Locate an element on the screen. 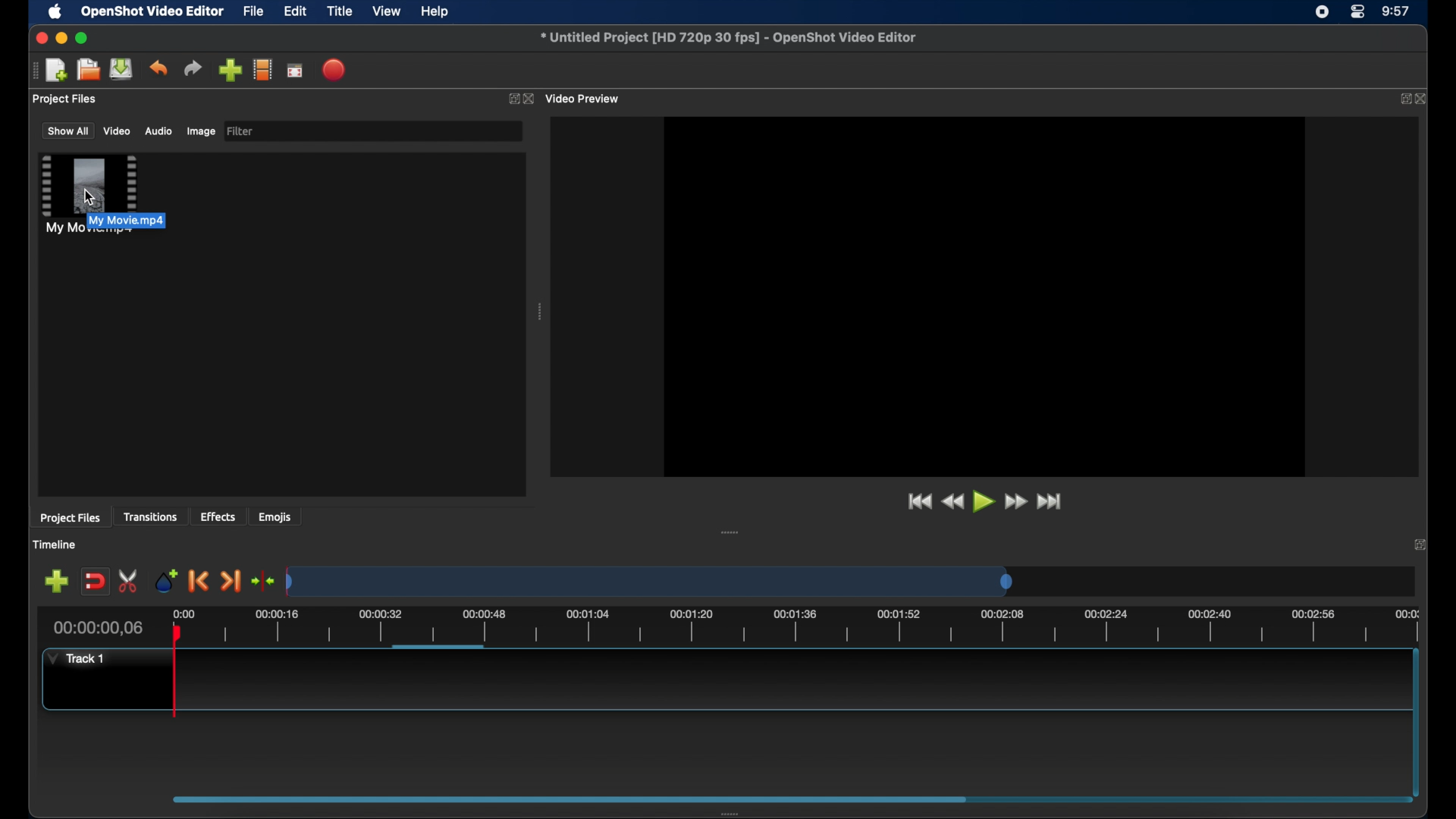 The image size is (1456, 819). save files is located at coordinates (123, 69).